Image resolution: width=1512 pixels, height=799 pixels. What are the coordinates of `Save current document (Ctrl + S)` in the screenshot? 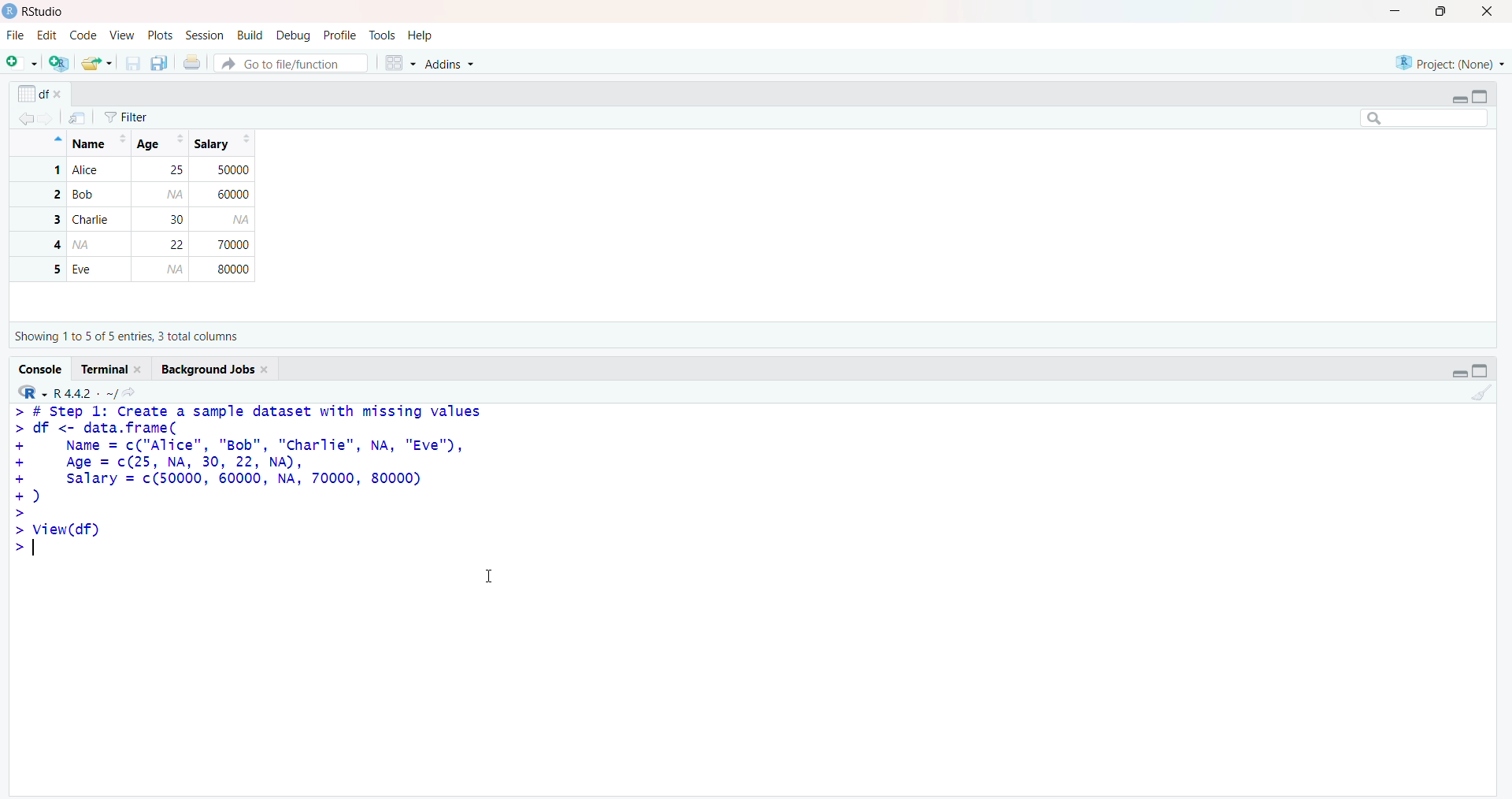 It's located at (132, 64).